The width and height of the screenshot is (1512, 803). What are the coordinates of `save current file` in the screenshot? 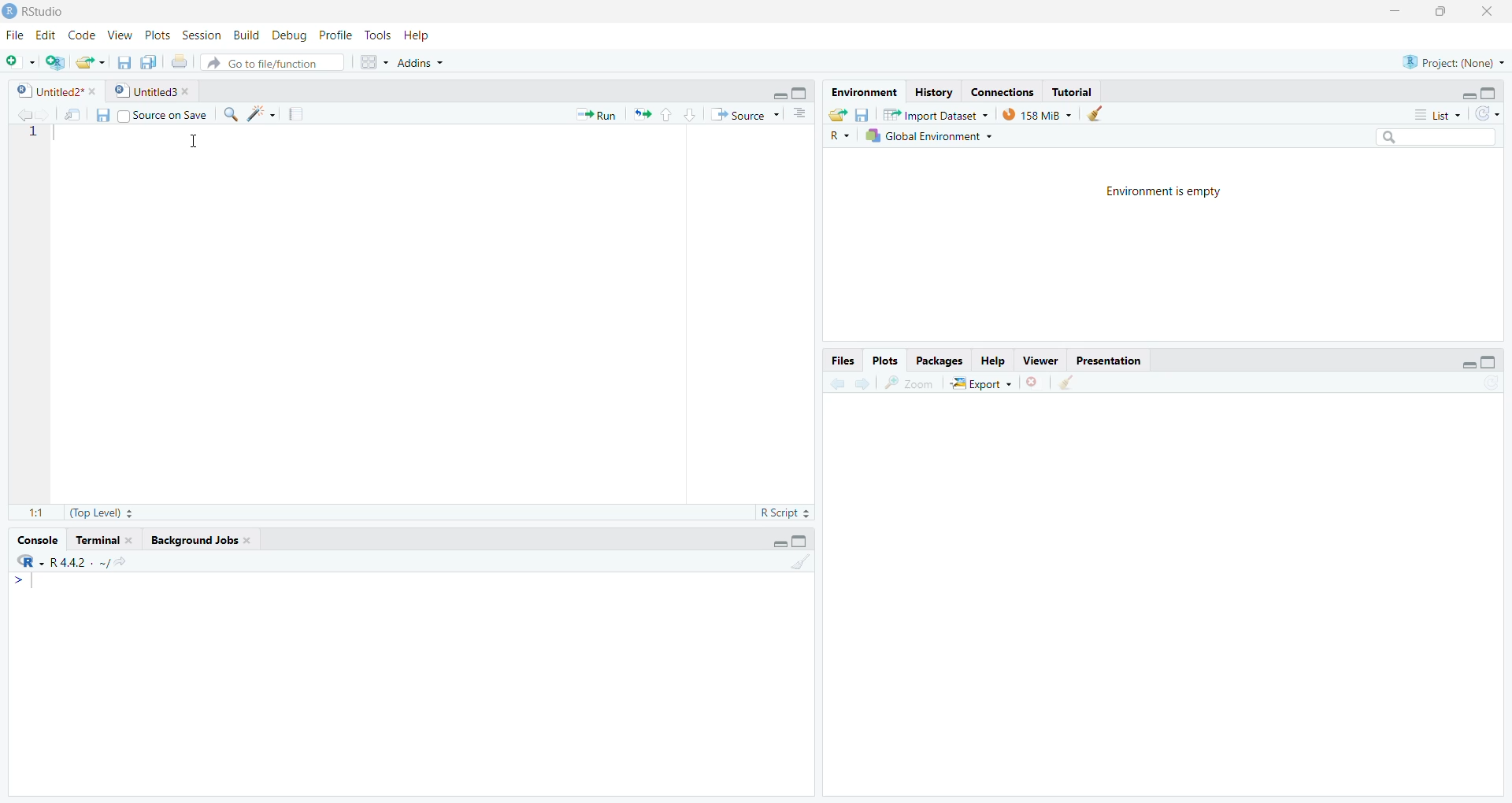 It's located at (124, 60).